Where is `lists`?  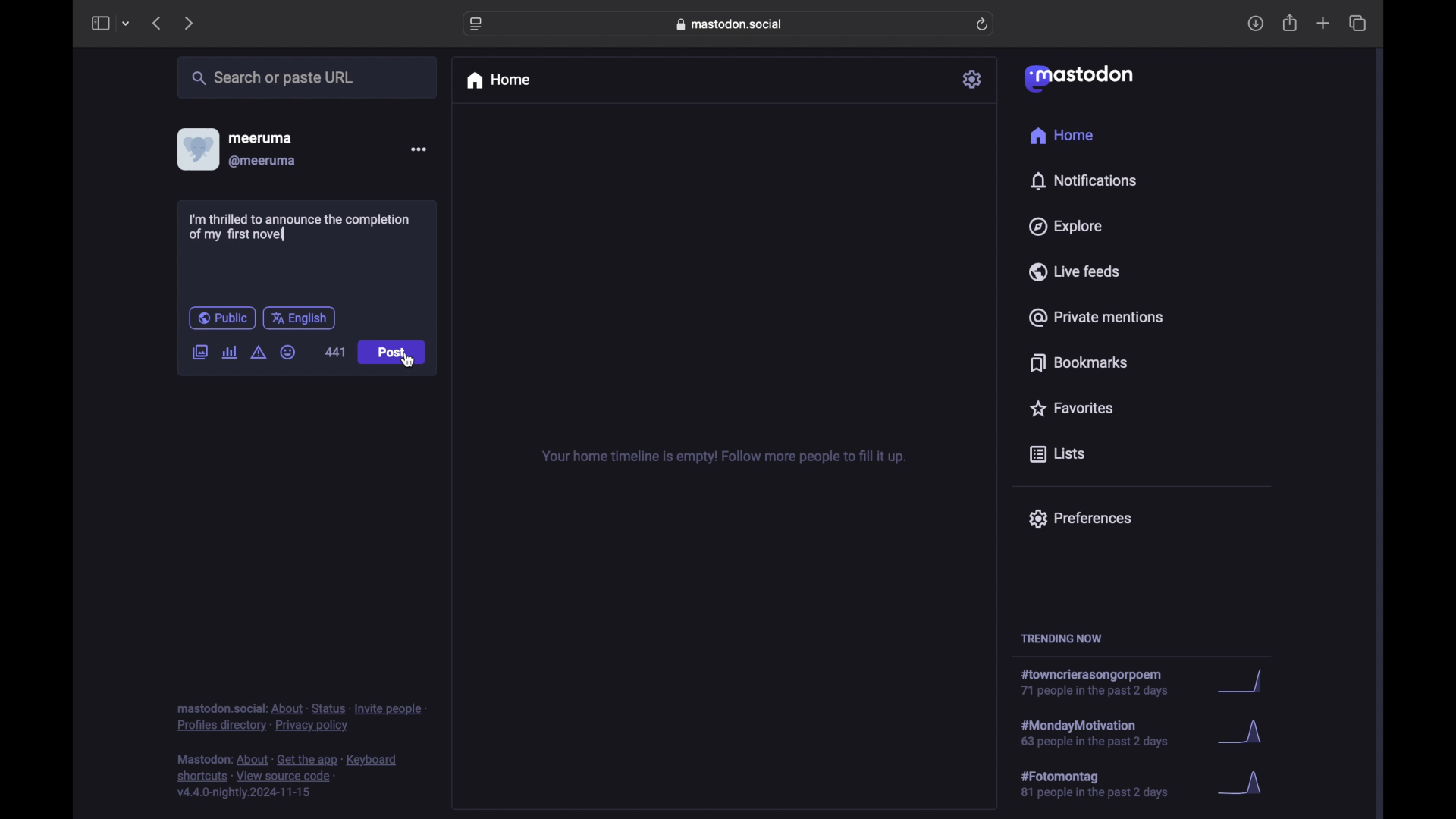
lists is located at coordinates (1057, 455).